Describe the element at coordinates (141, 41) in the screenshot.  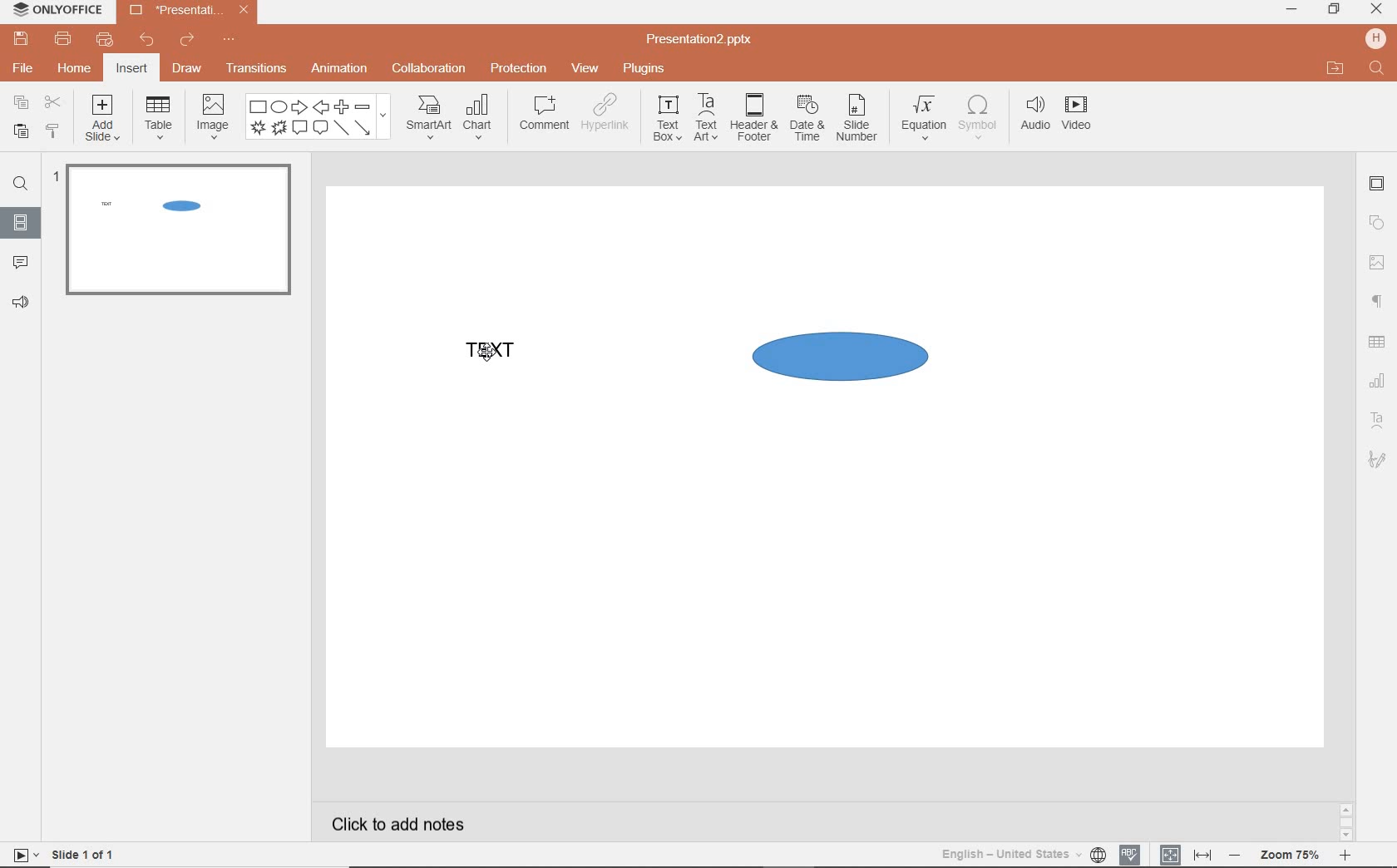
I see `undo` at that location.